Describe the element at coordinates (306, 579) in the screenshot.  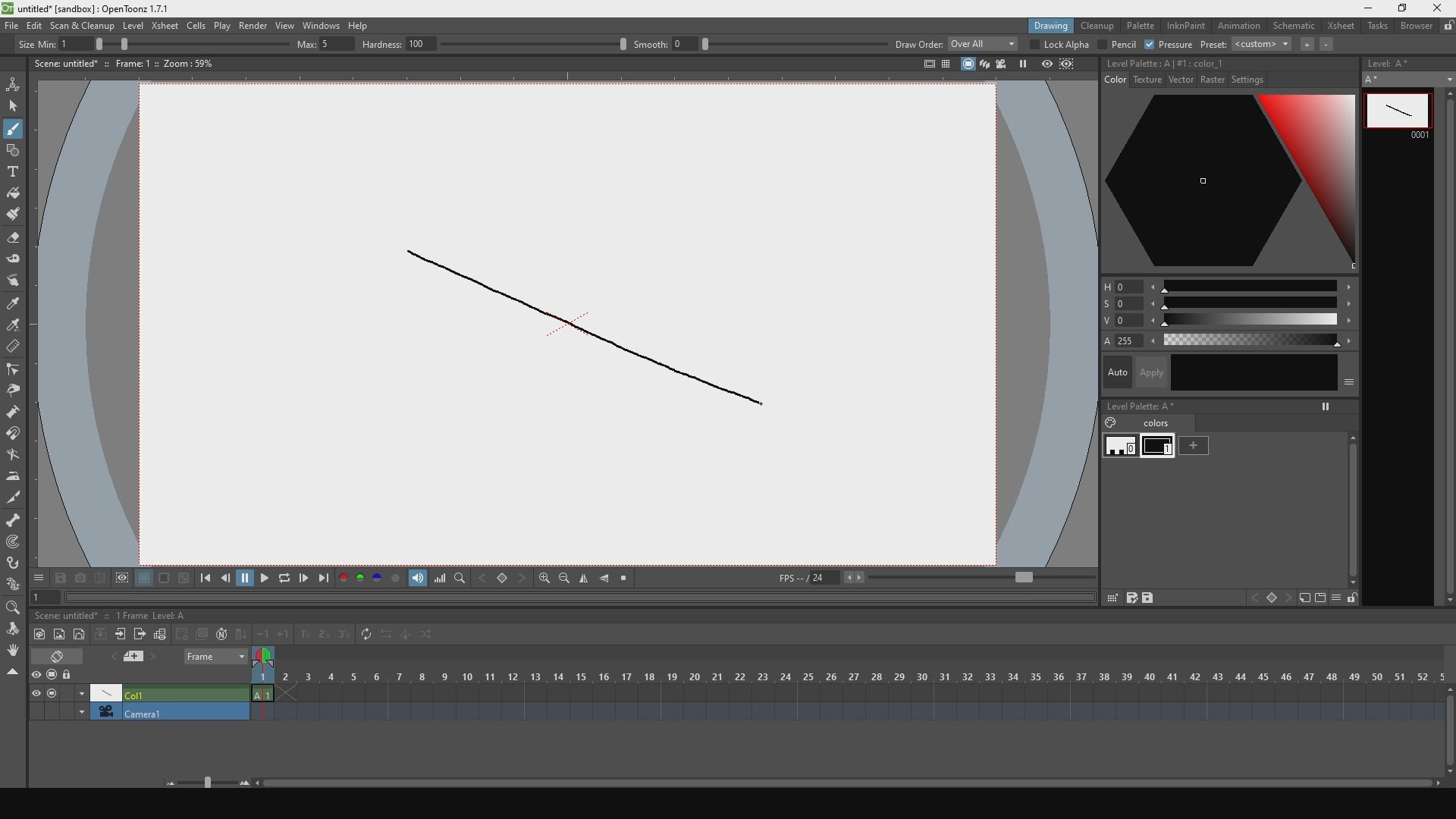
I see `go forwards` at that location.